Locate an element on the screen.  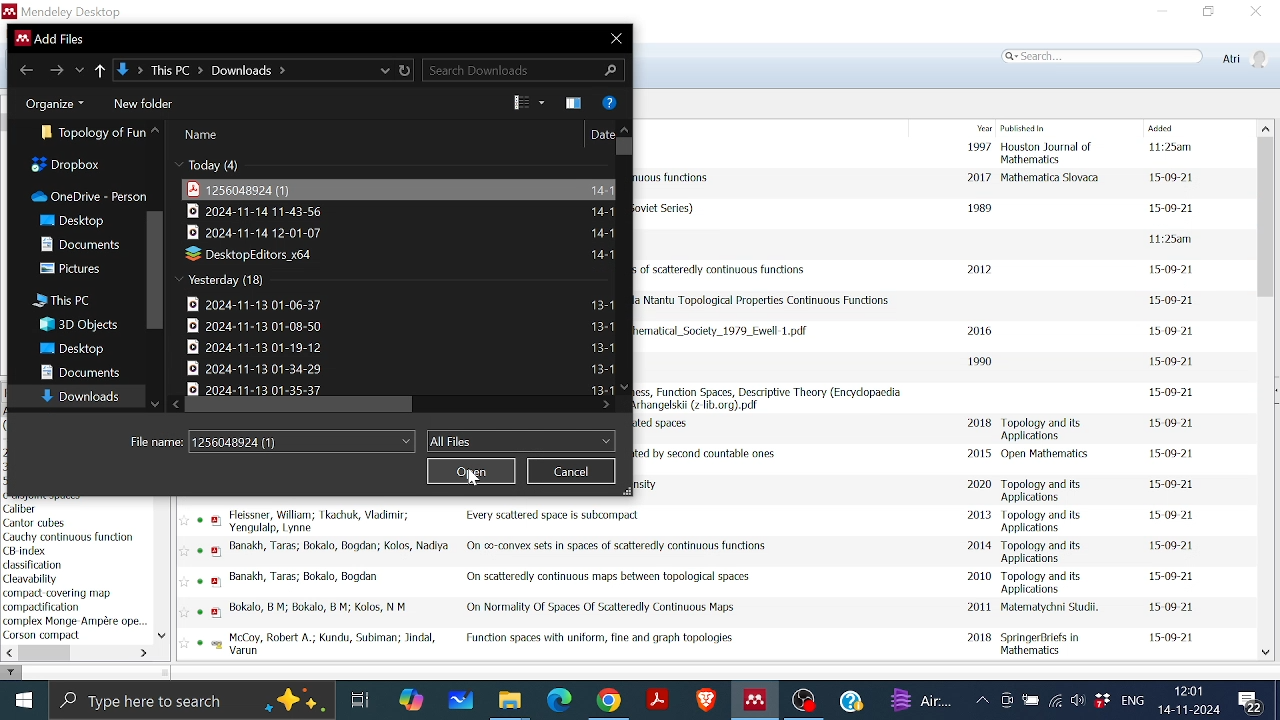
Dropbox is located at coordinates (66, 165).